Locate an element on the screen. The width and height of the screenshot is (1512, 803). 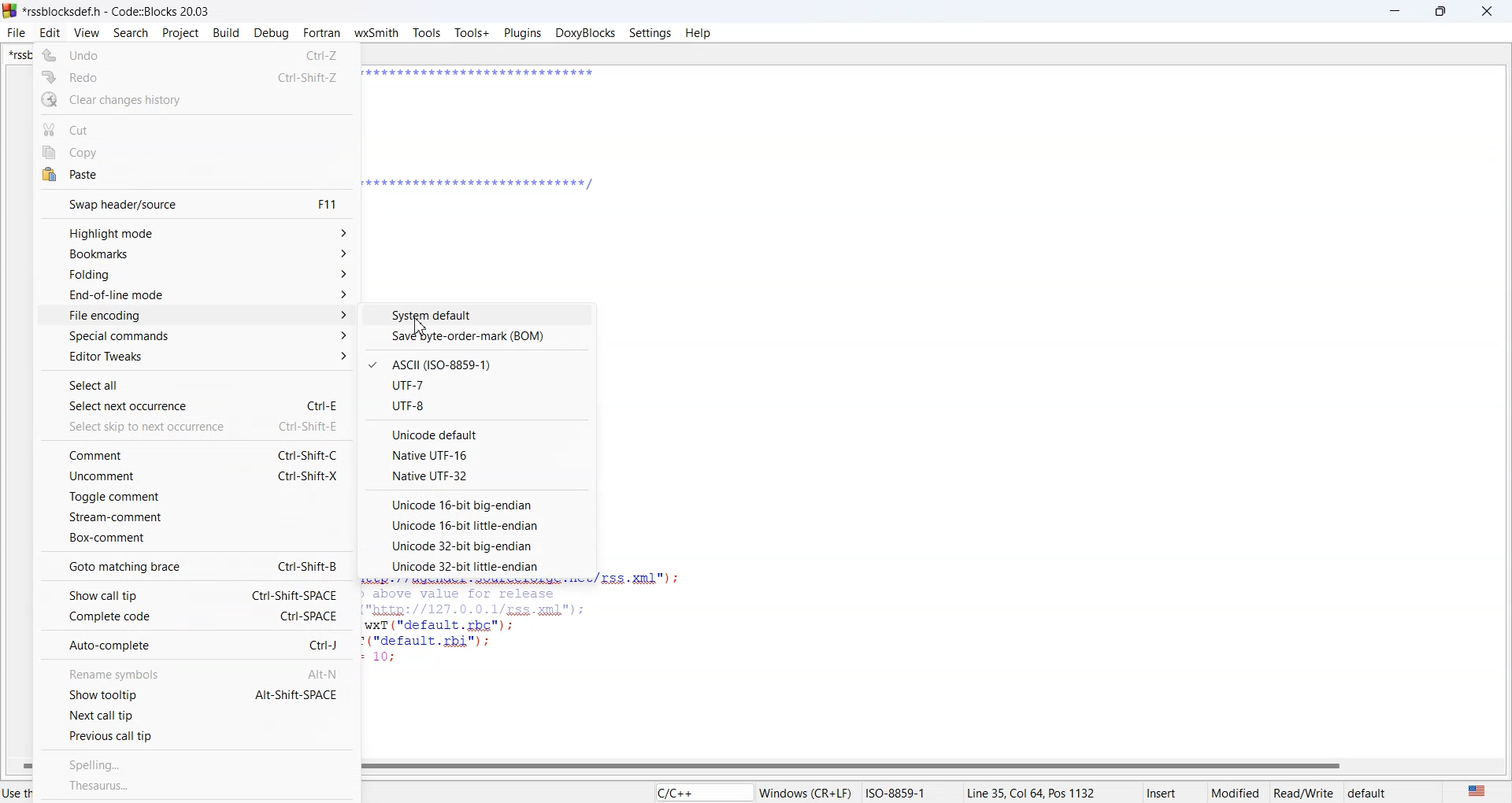
Show call tip is located at coordinates (196, 594).